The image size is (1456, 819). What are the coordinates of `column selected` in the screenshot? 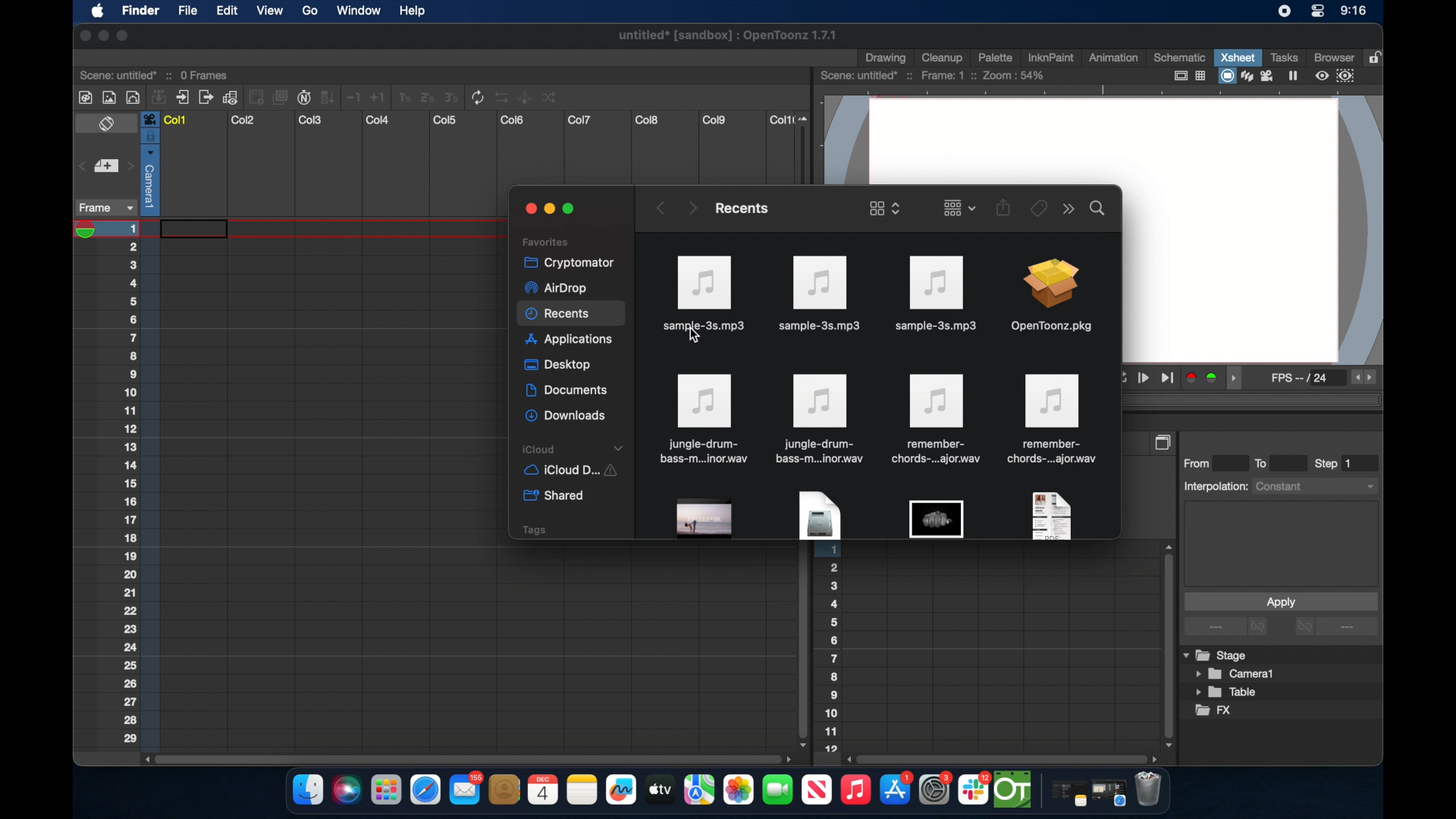 It's located at (149, 163).